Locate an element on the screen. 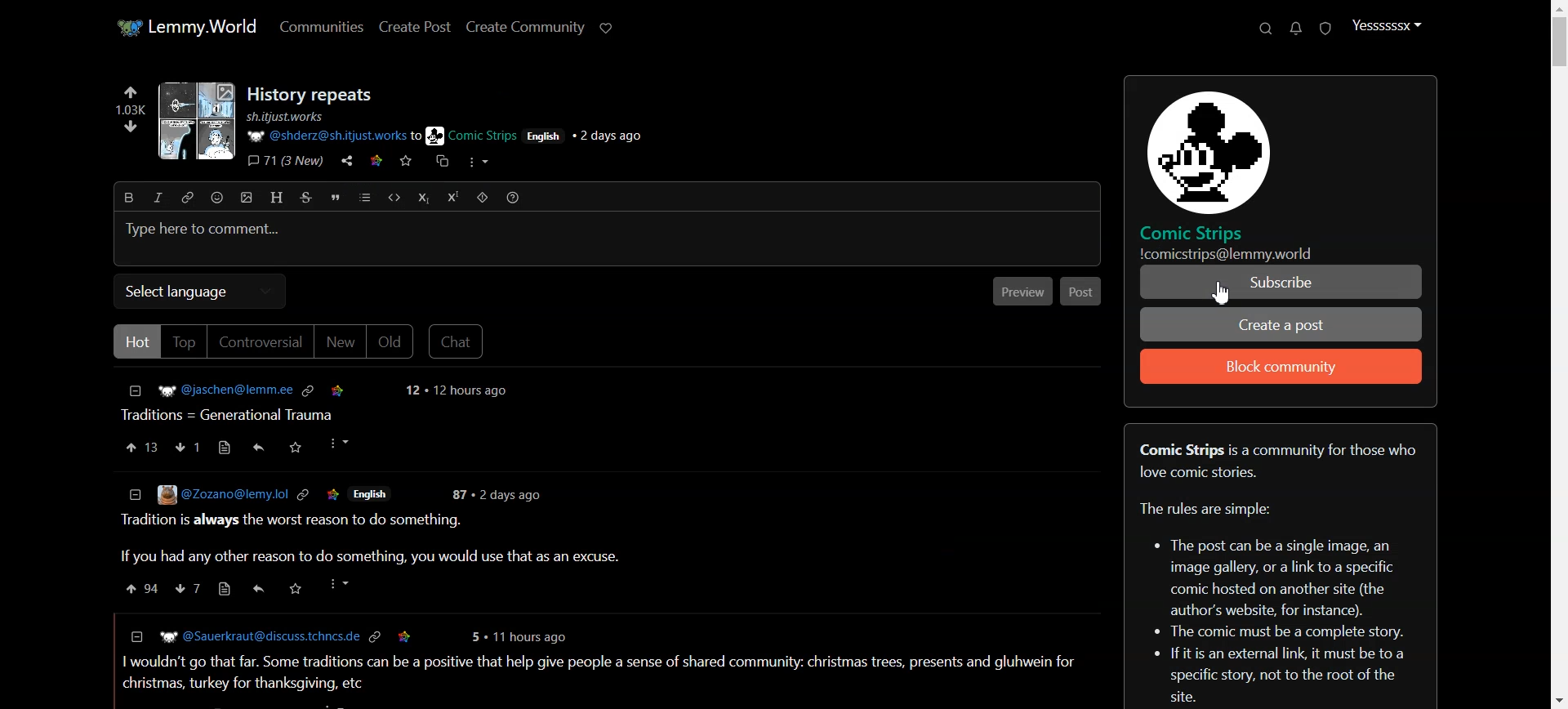 This screenshot has height=709, width=1568. Search is located at coordinates (1265, 29).